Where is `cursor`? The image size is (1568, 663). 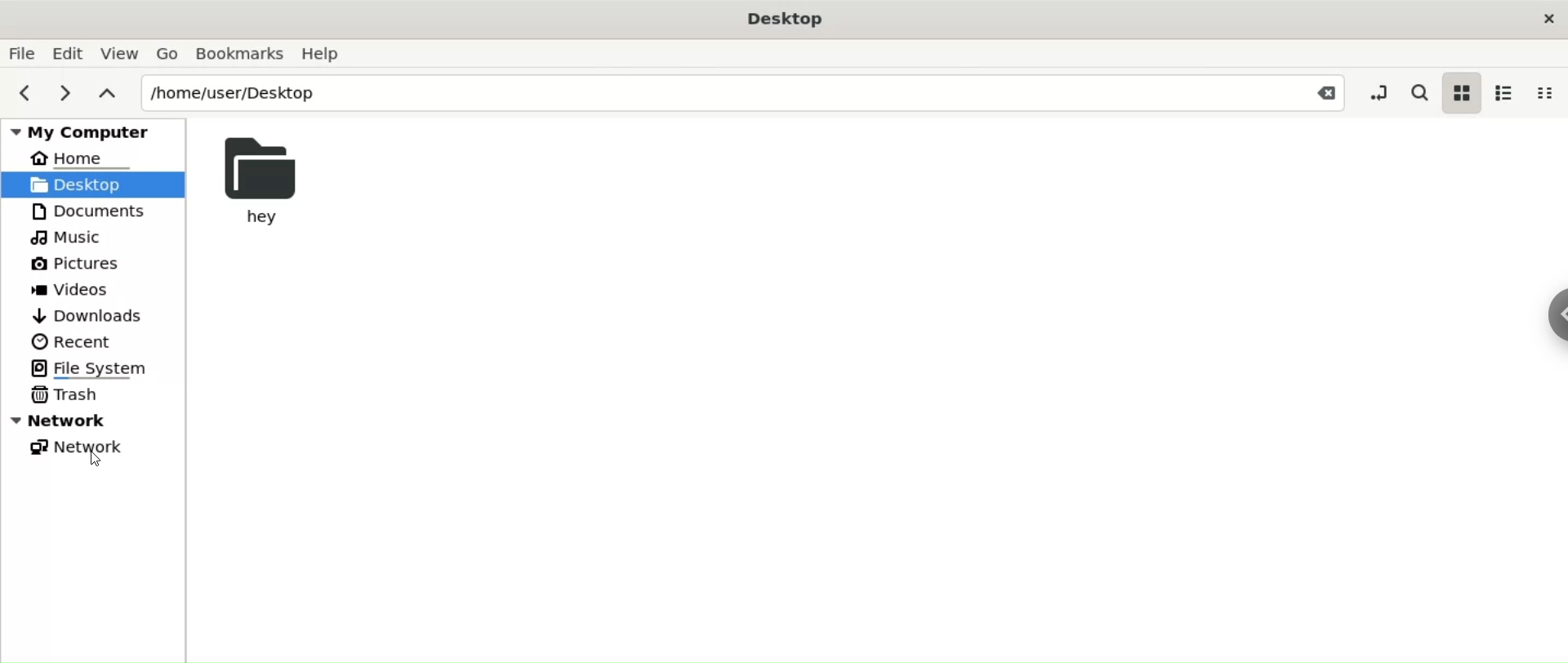
cursor is located at coordinates (101, 461).